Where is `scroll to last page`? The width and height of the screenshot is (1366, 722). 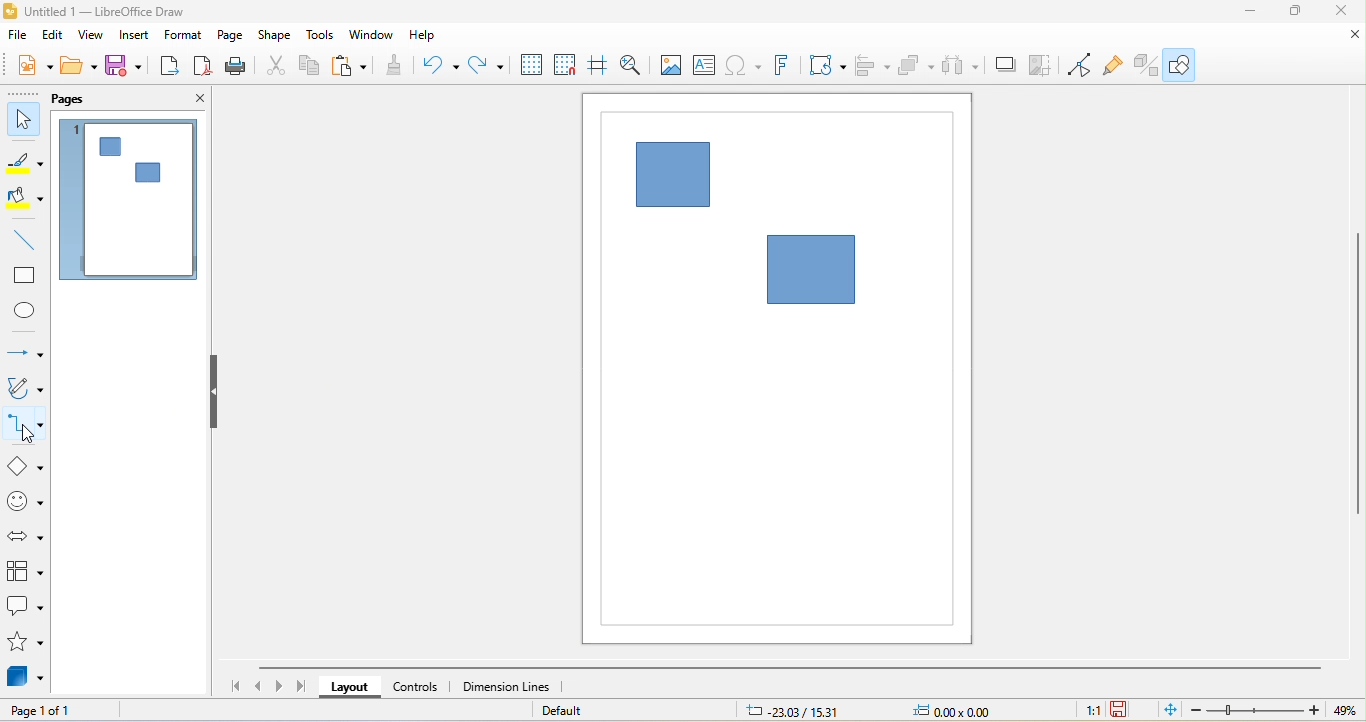 scroll to last page is located at coordinates (303, 686).